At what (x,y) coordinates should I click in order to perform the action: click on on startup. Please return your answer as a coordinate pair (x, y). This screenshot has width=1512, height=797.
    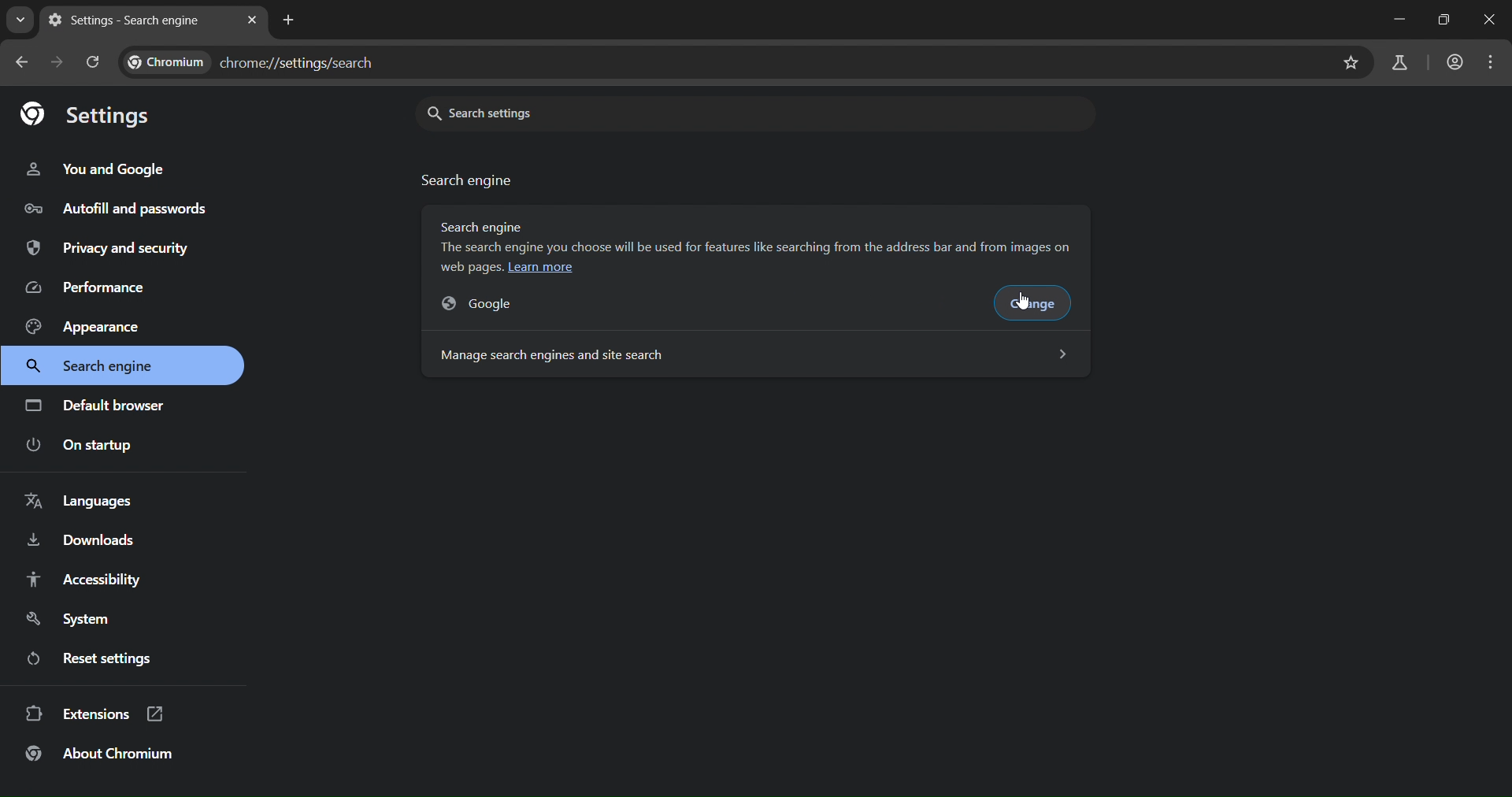
    Looking at the image, I should click on (81, 446).